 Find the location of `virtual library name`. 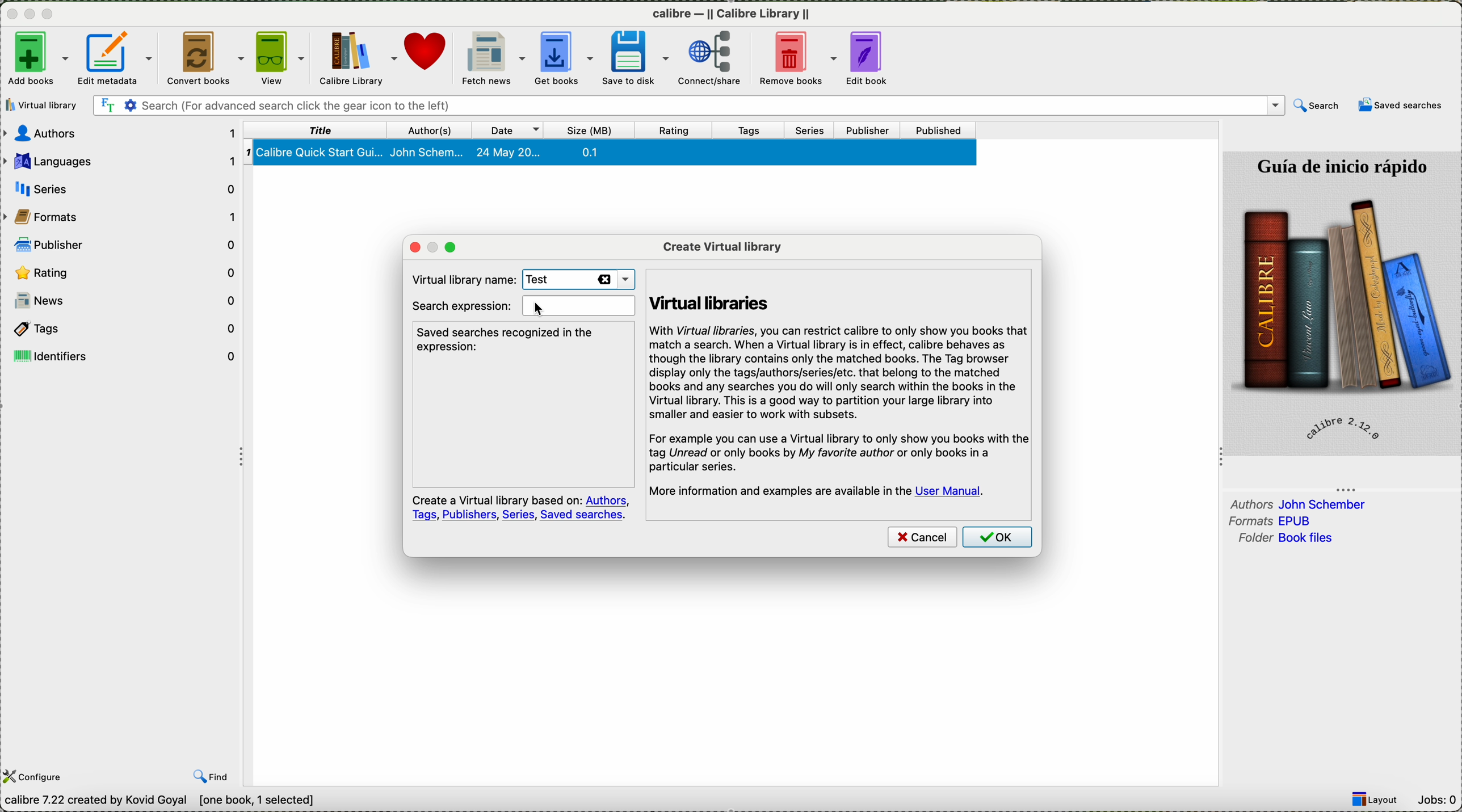

virtual library name is located at coordinates (459, 277).